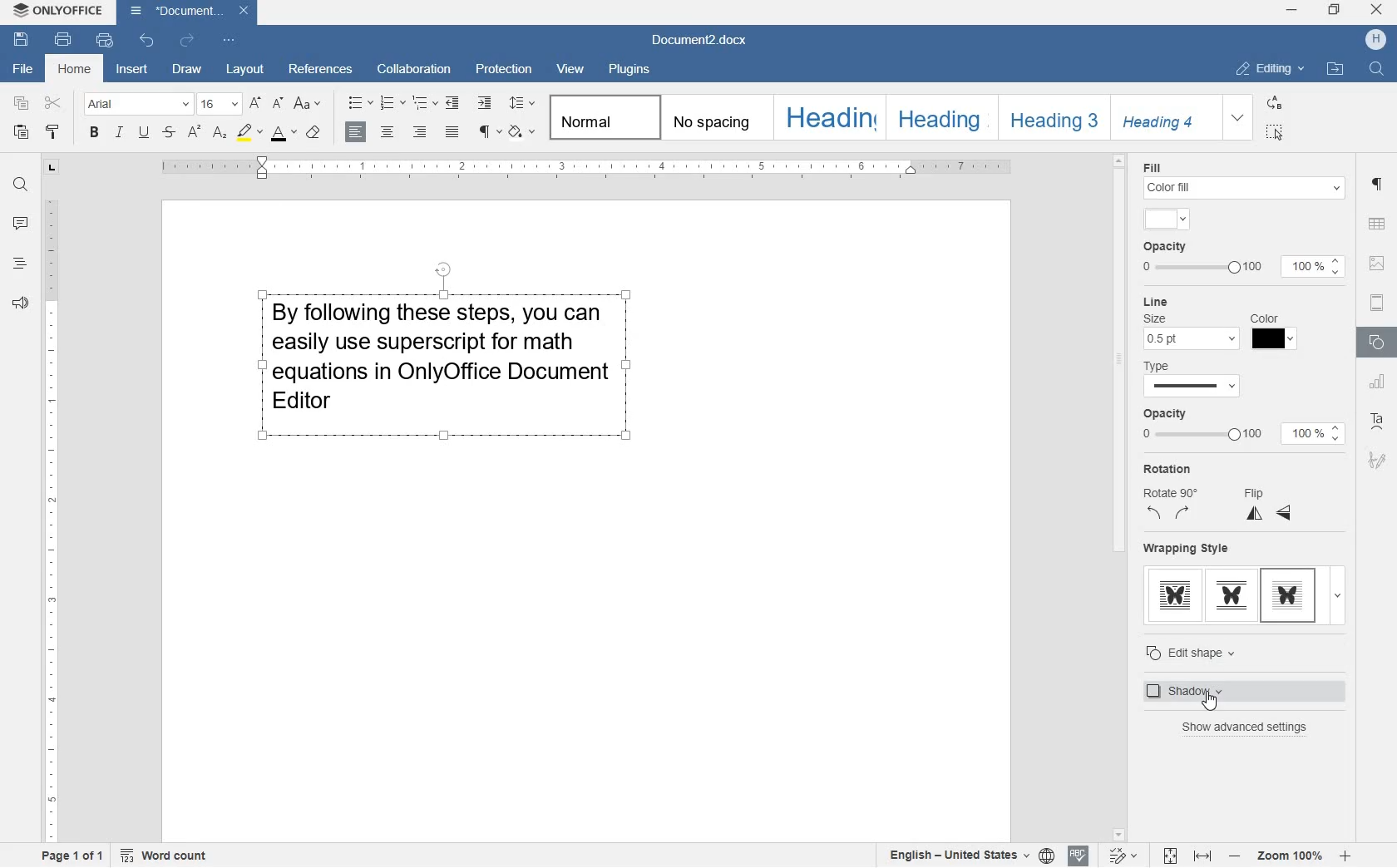  What do you see at coordinates (1205, 651) in the screenshot?
I see `edit shape` at bounding box center [1205, 651].